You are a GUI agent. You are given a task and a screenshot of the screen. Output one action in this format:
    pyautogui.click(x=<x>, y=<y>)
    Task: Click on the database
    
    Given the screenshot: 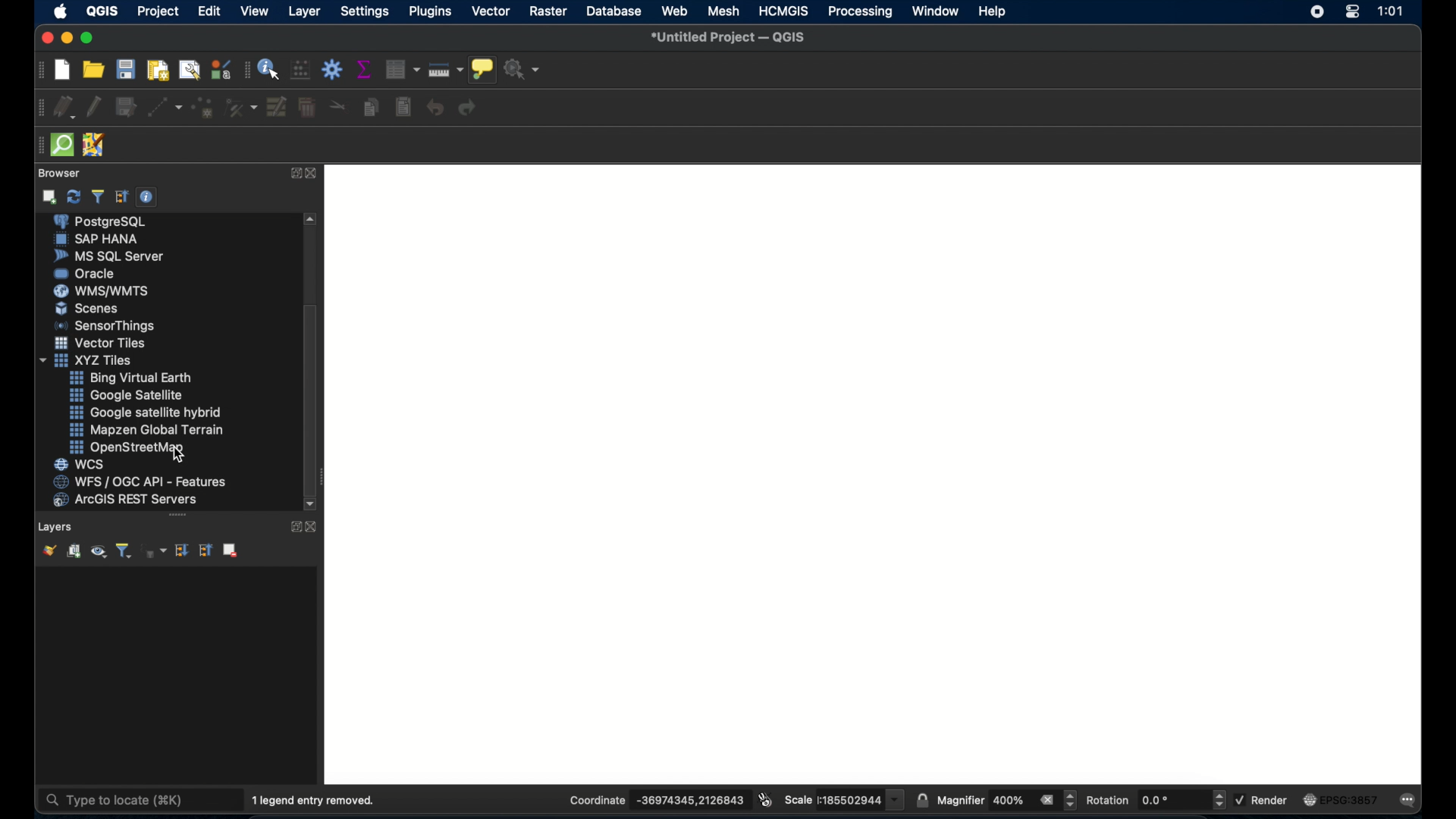 What is the action you would take?
    pyautogui.click(x=616, y=11)
    